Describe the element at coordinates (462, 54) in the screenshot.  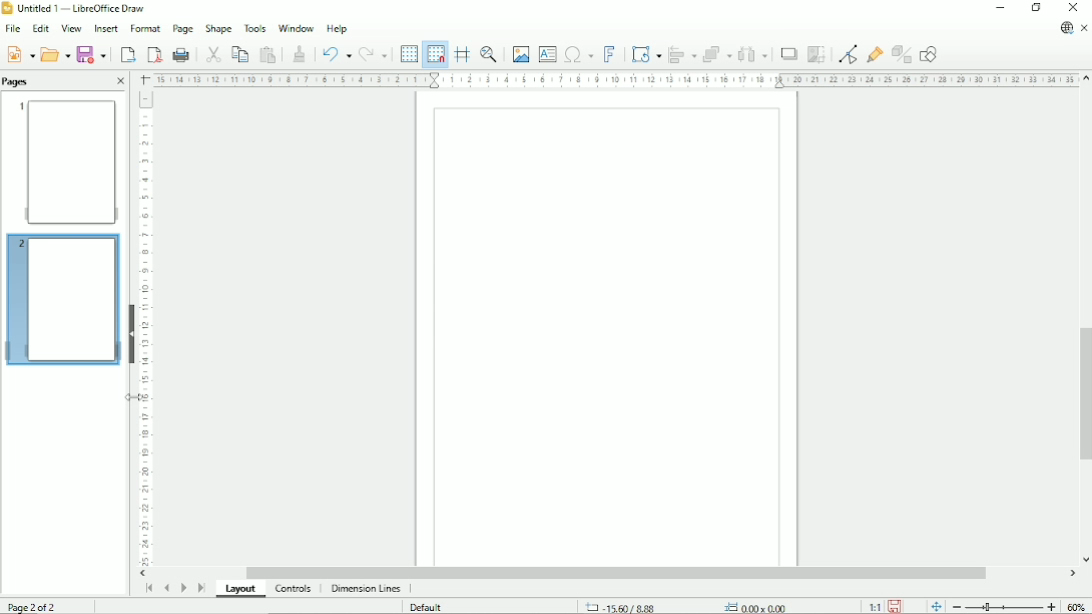
I see `Helplines while moving` at that location.